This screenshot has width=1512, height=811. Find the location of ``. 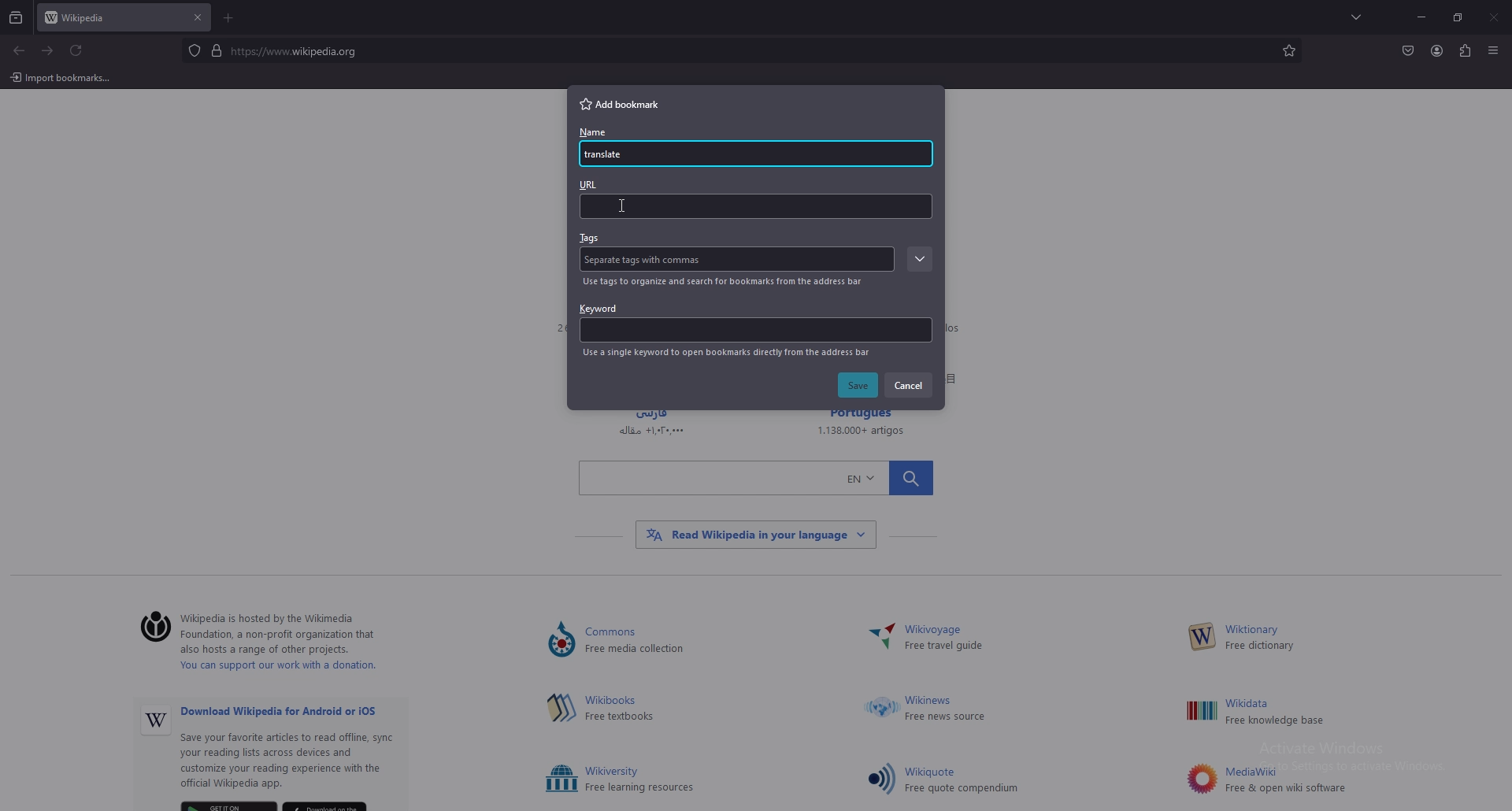

 is located at coordinates (1289, 713).